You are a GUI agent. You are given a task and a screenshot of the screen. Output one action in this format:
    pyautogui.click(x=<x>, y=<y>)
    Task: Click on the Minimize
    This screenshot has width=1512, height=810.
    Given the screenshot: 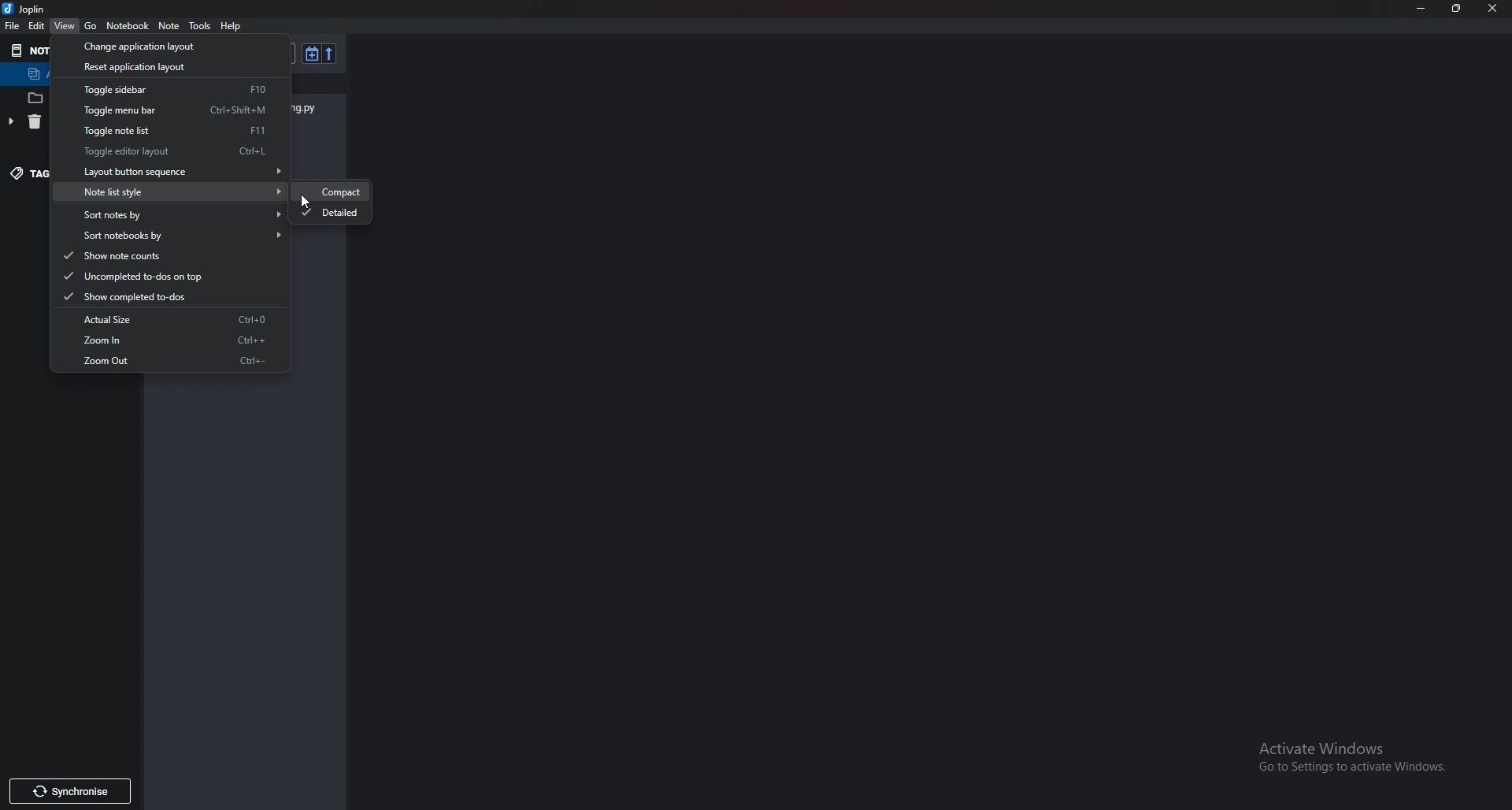 What is the action you would take?
    pyautogui.click(x=1421, y=9)
    